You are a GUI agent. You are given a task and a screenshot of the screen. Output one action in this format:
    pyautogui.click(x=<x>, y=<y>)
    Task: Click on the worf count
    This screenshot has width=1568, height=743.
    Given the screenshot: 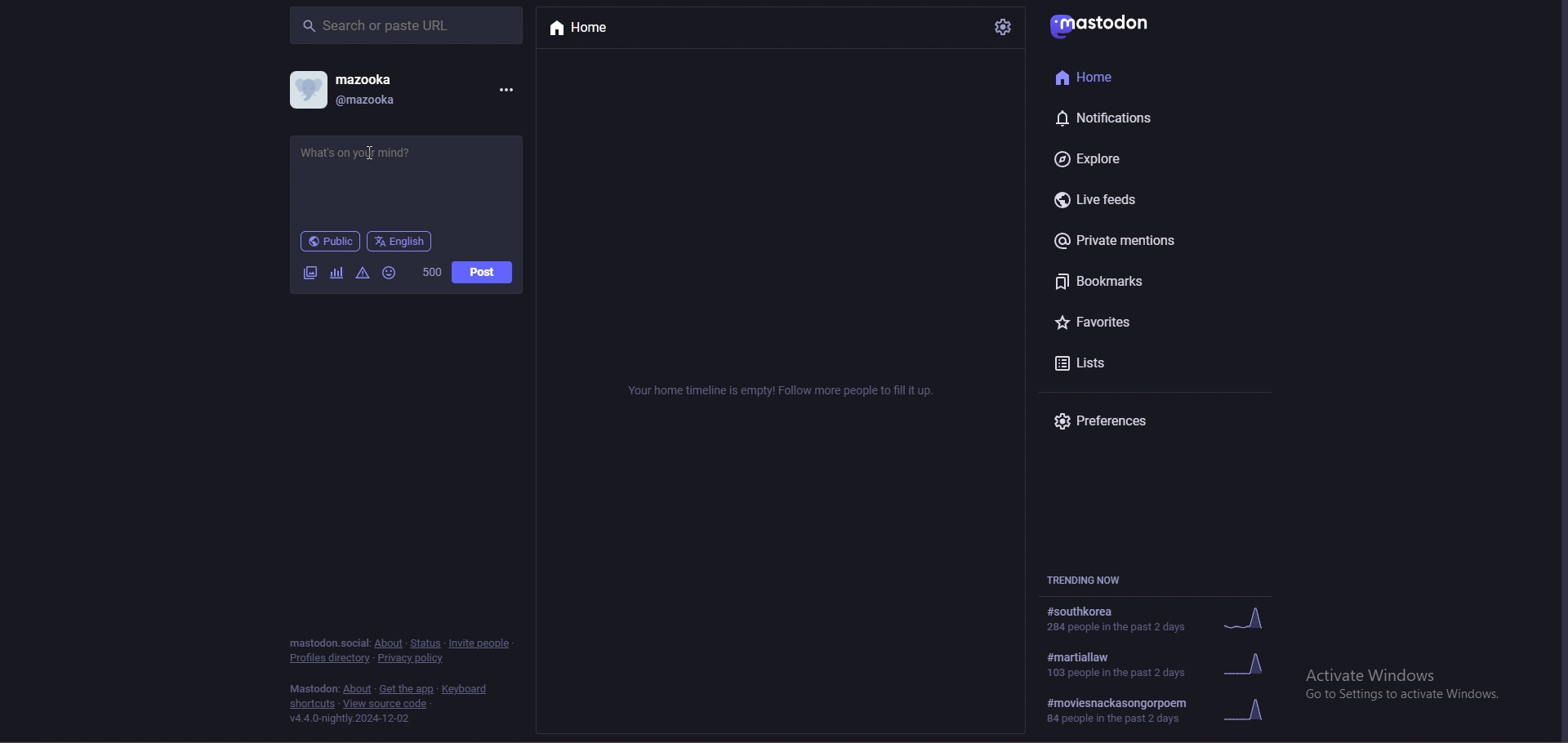 What is the action you would take?
    pyautogui.click(x=433, y=272)
    